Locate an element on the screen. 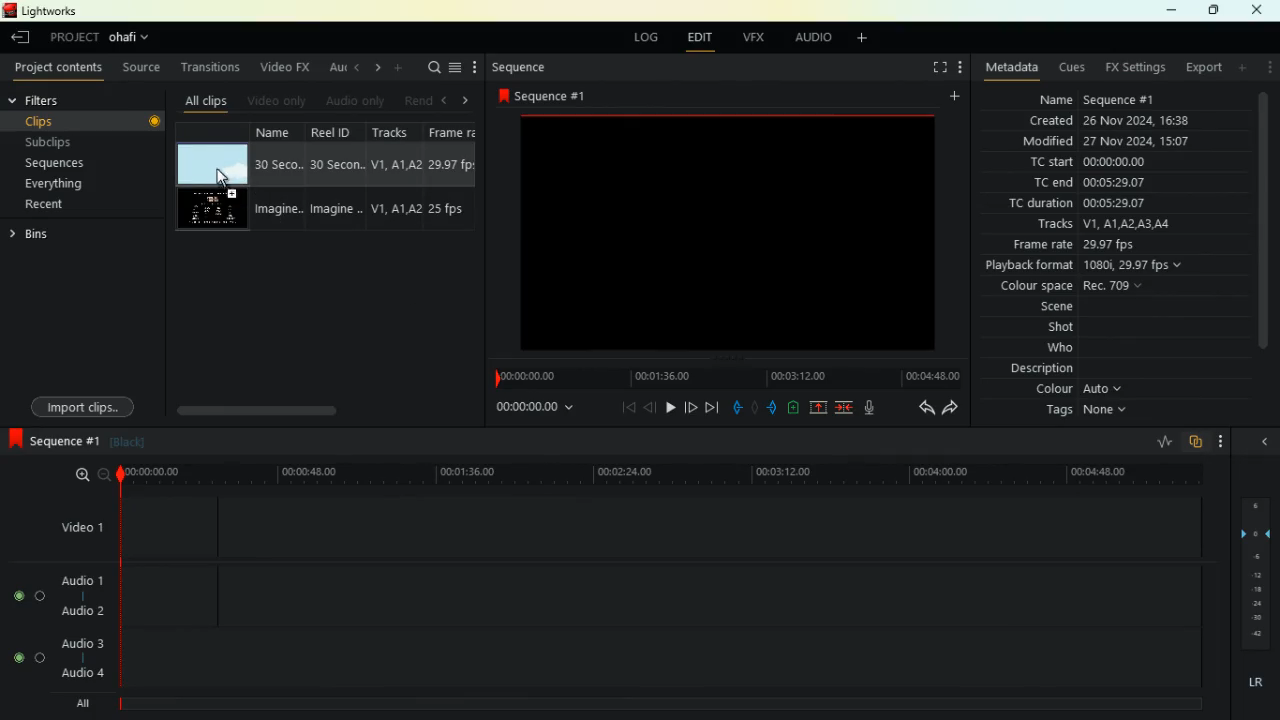 Image resolution: width=1280 pixels, height=720 pixels. V1, A1LA2 AS AL is located at coordinates (1132, 223).